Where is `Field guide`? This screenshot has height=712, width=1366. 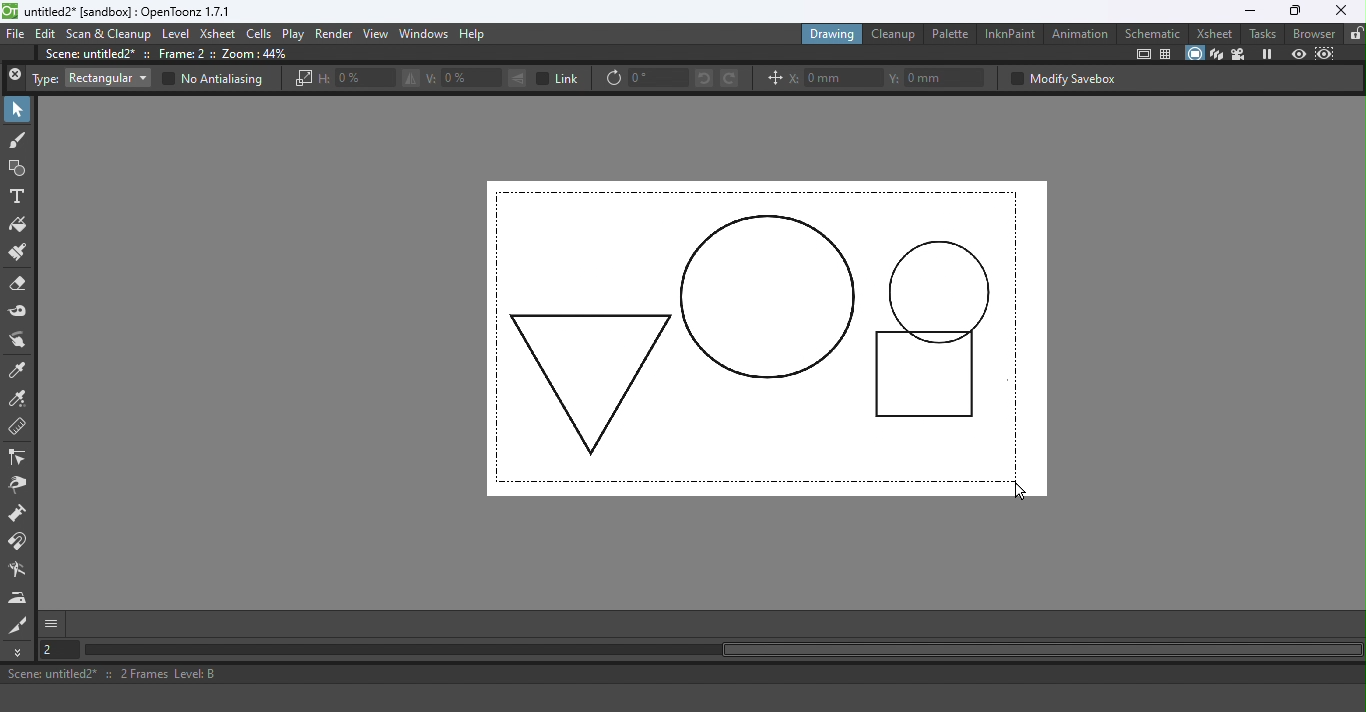
Field guide is located at coordinates (1168, 55).